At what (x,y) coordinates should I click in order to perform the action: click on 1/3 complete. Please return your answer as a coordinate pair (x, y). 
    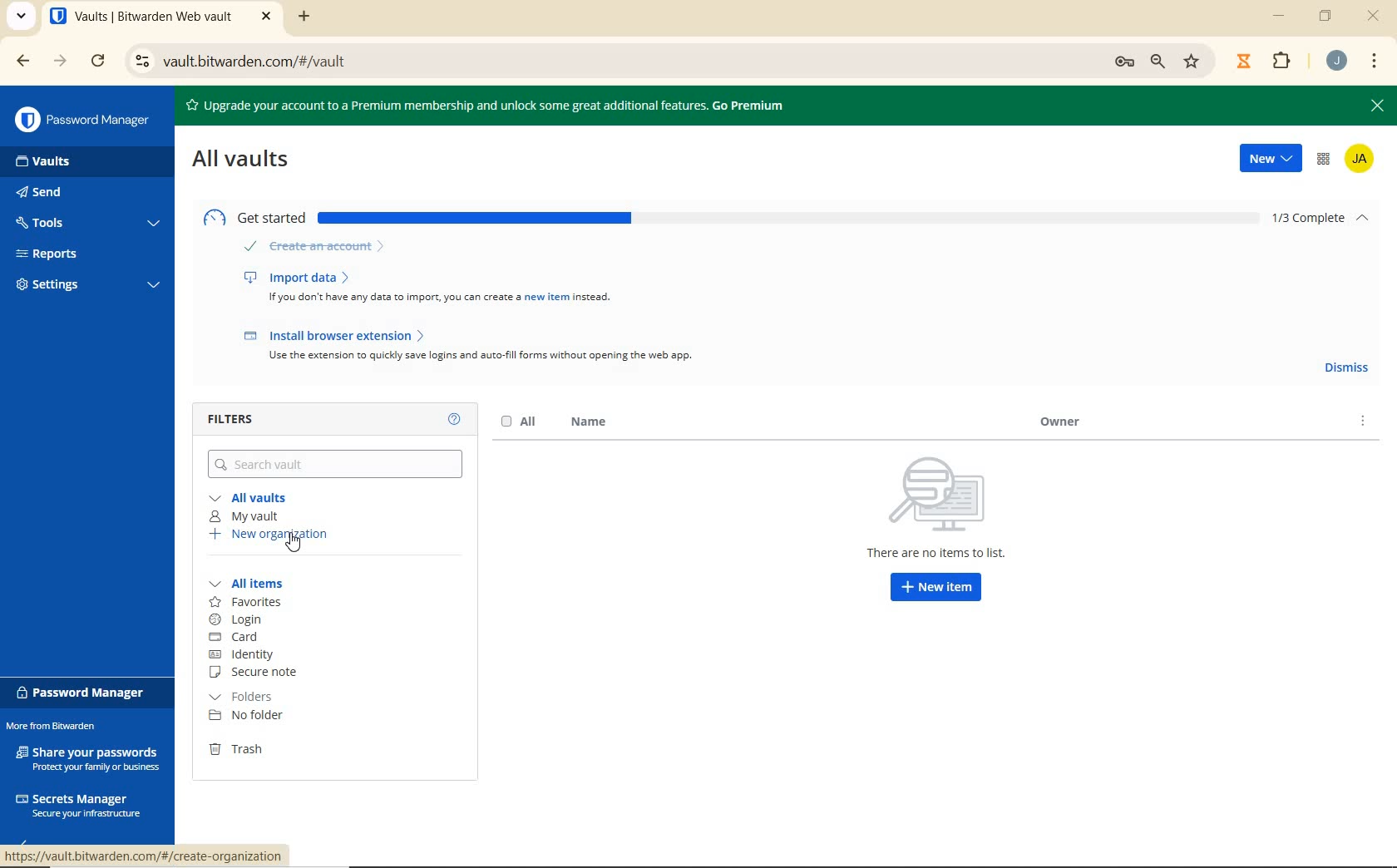
    Looking at the image, I should click on (1325, 219).